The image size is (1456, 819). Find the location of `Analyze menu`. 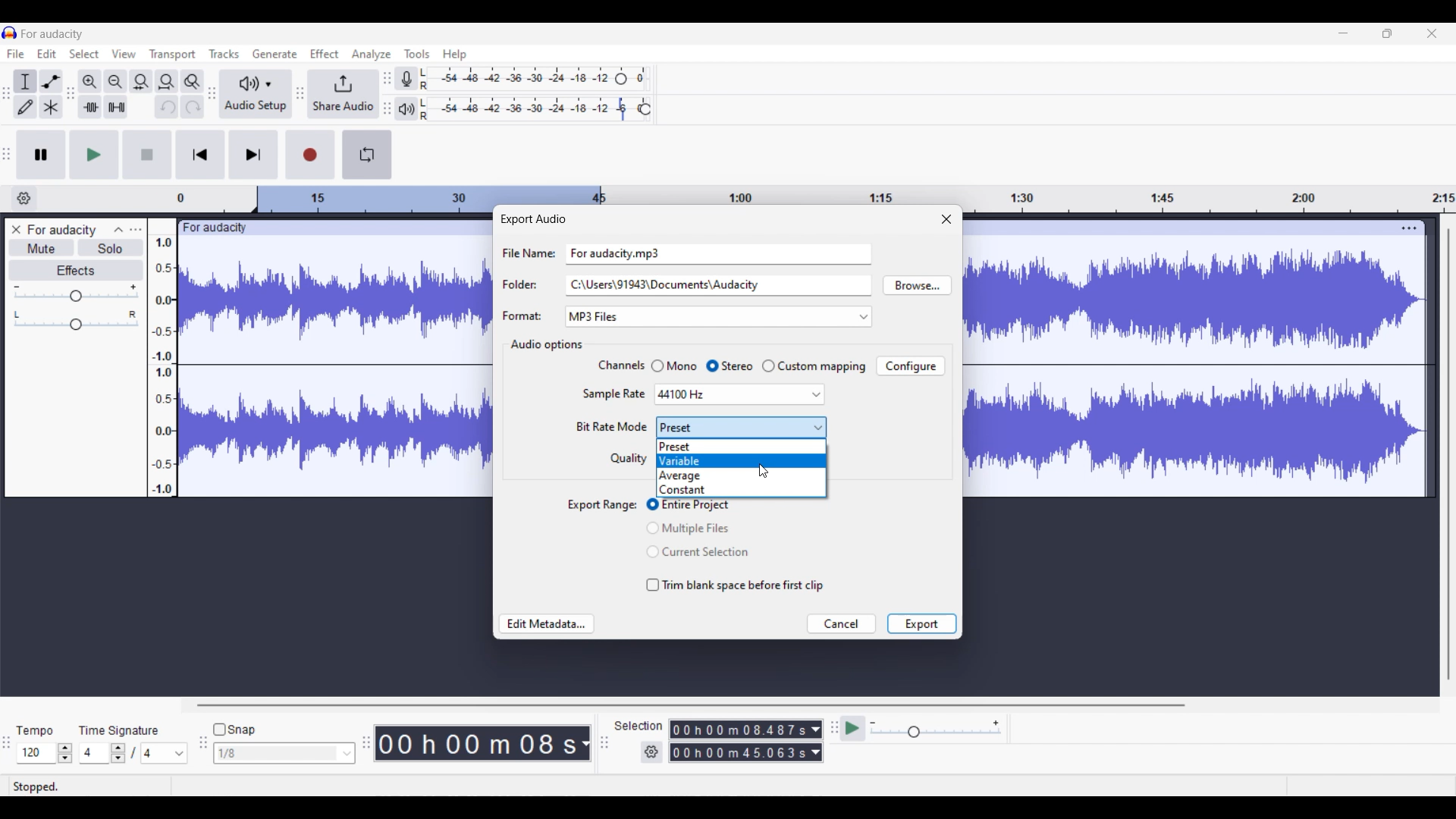

Analyze menu is located at coordinates (372, 55).